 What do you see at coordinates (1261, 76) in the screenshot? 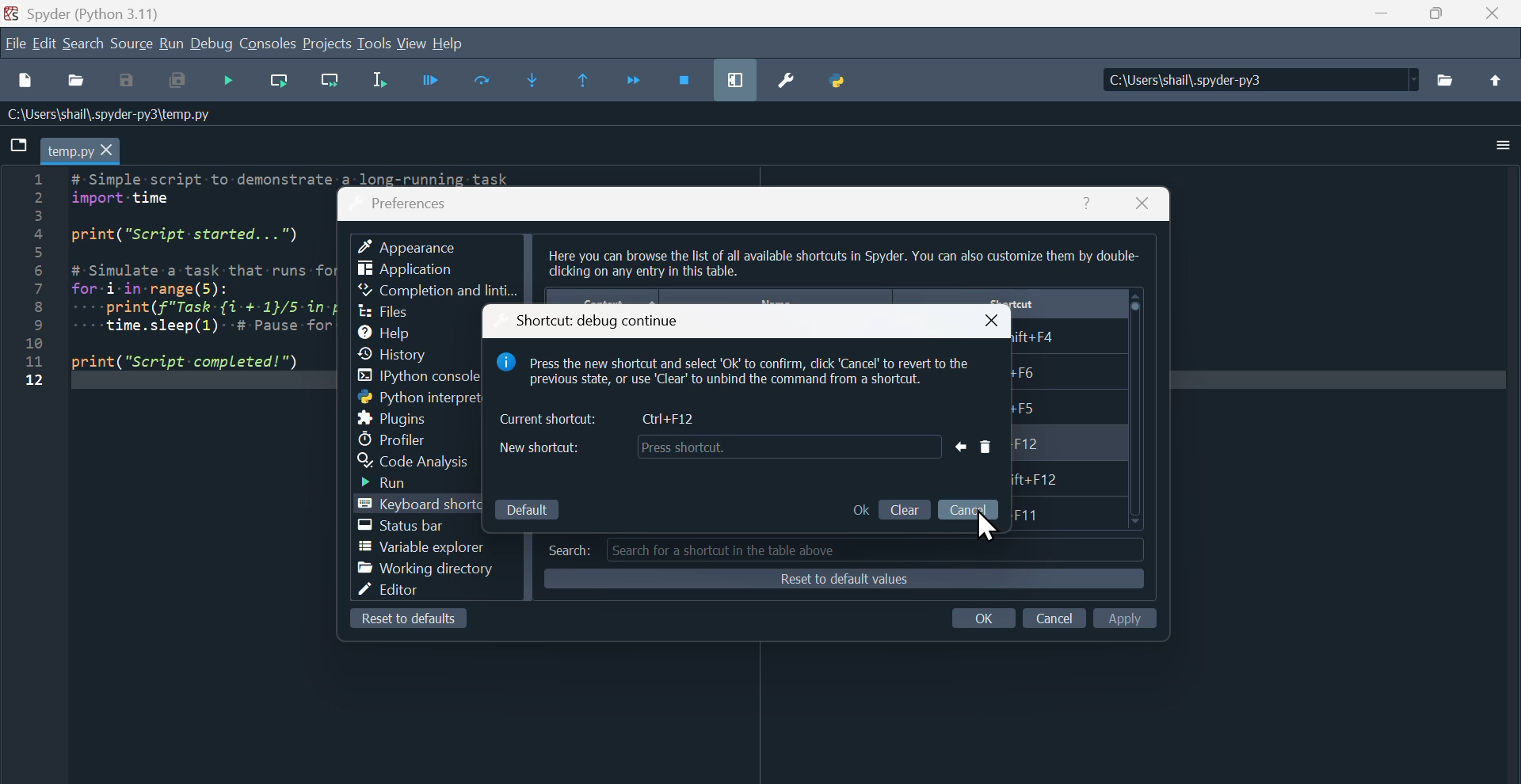
I see `Location of the file` at bounding box center [1261, 76].